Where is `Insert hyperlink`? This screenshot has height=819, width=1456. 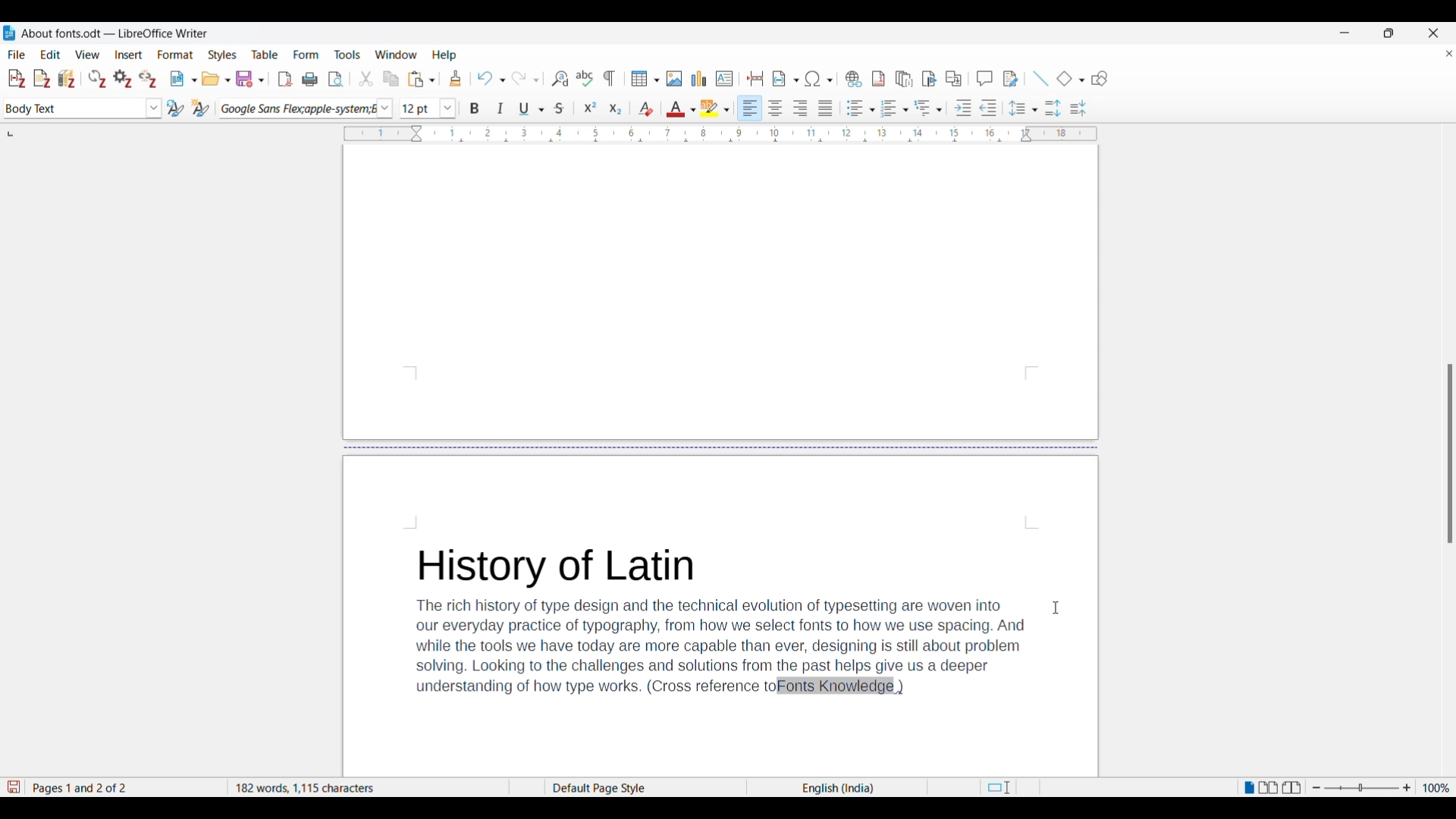 Insert hyperlink is located at coordinates (853, 79).